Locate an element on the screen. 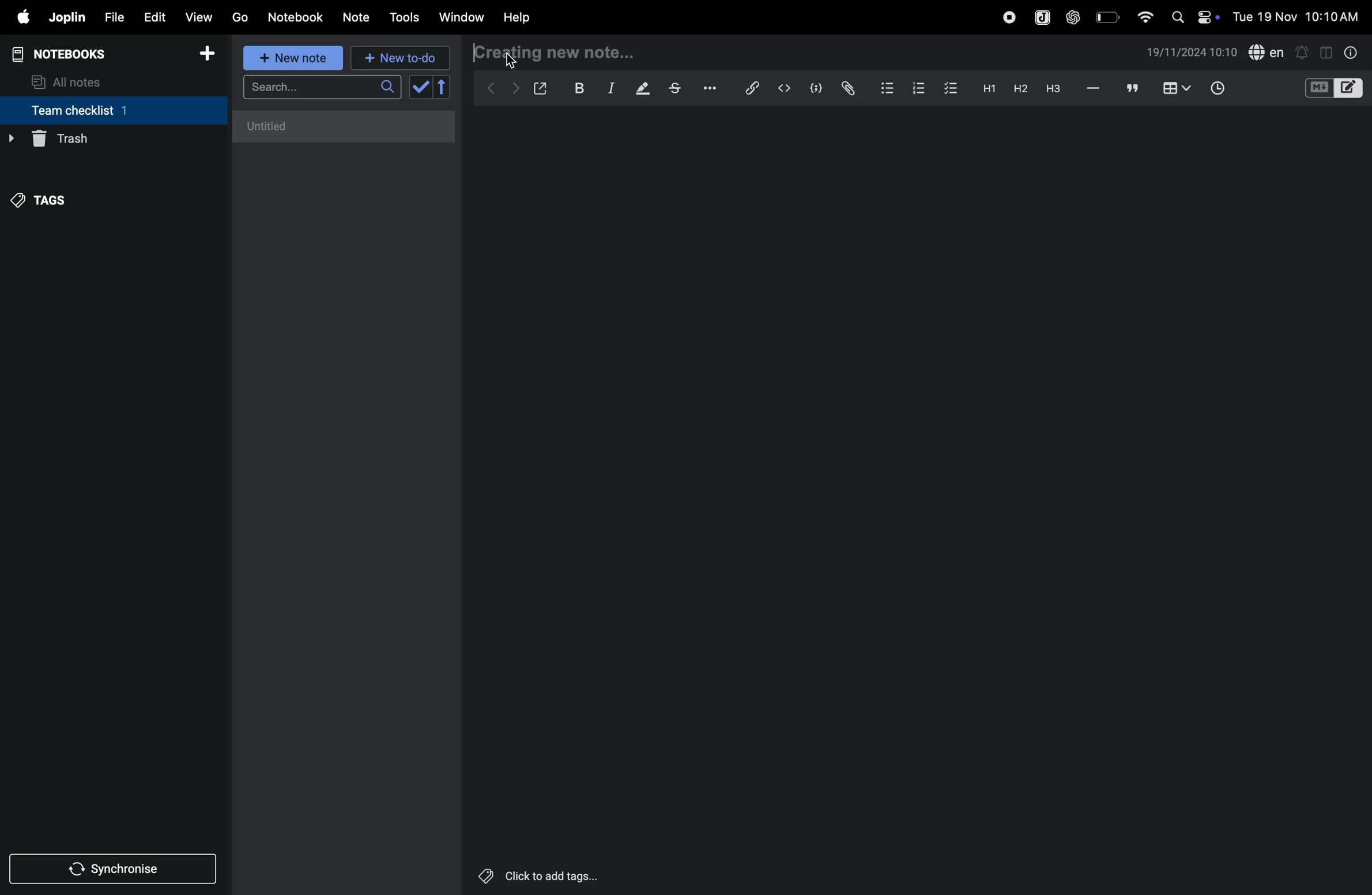 The width and height of the screenshot is (1372, 895). table is located at coordinates (1175, 88).